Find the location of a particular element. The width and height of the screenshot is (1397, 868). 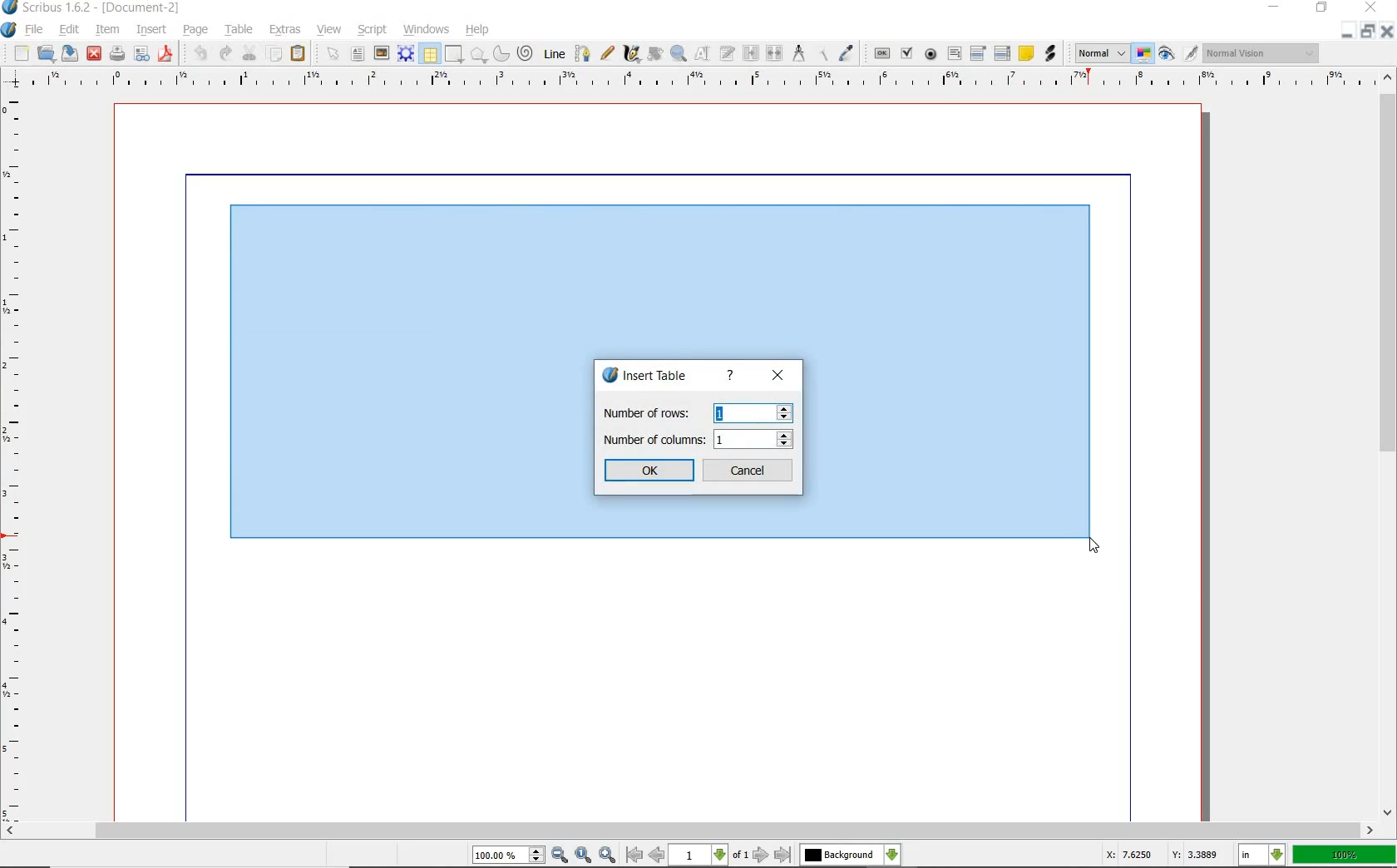

close is located at coordinates (93, 54).